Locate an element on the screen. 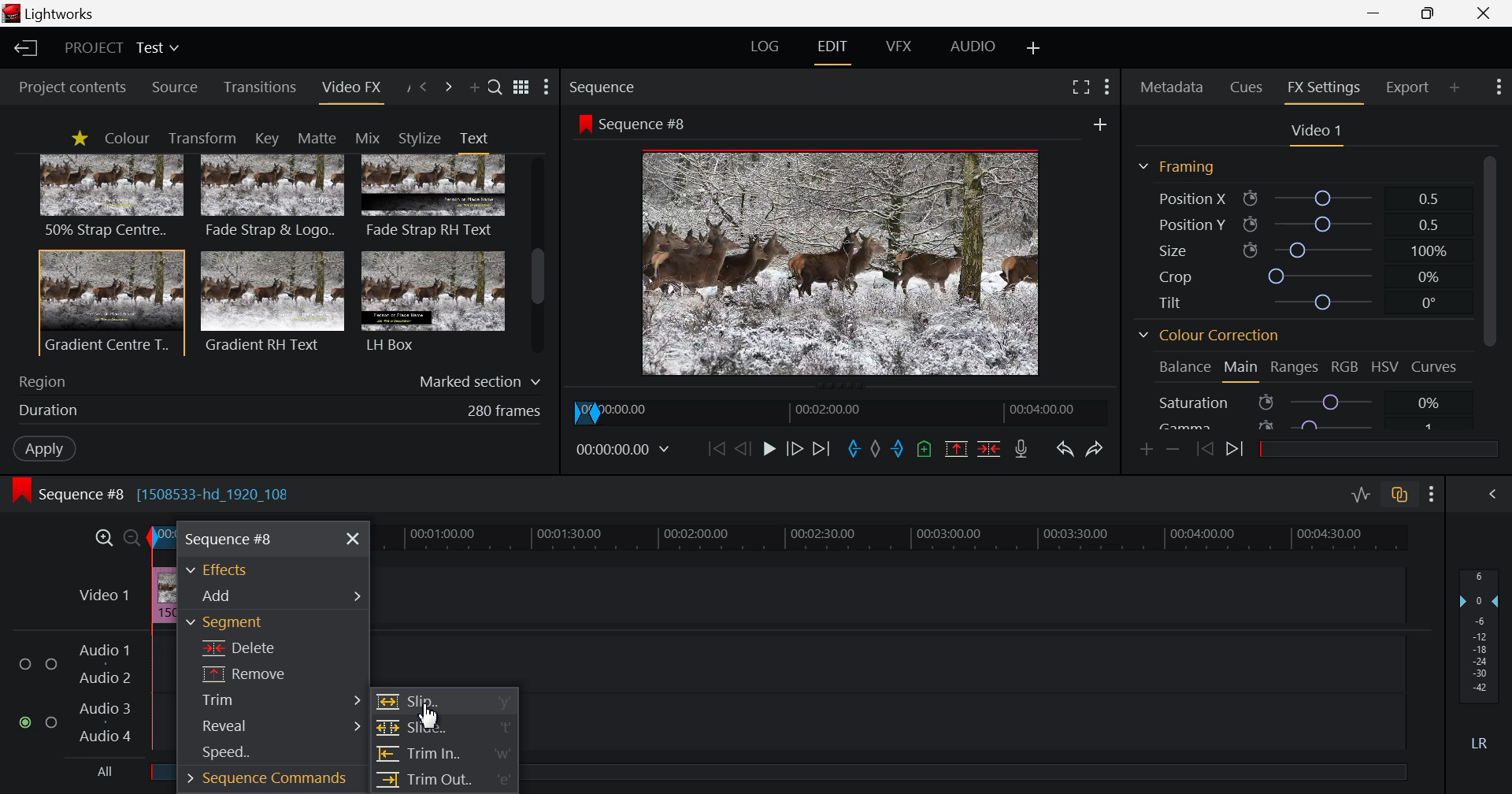 Image resolution: width=1512 pixels, height=794 pixels. Trim is located at coordinates (273, 699).